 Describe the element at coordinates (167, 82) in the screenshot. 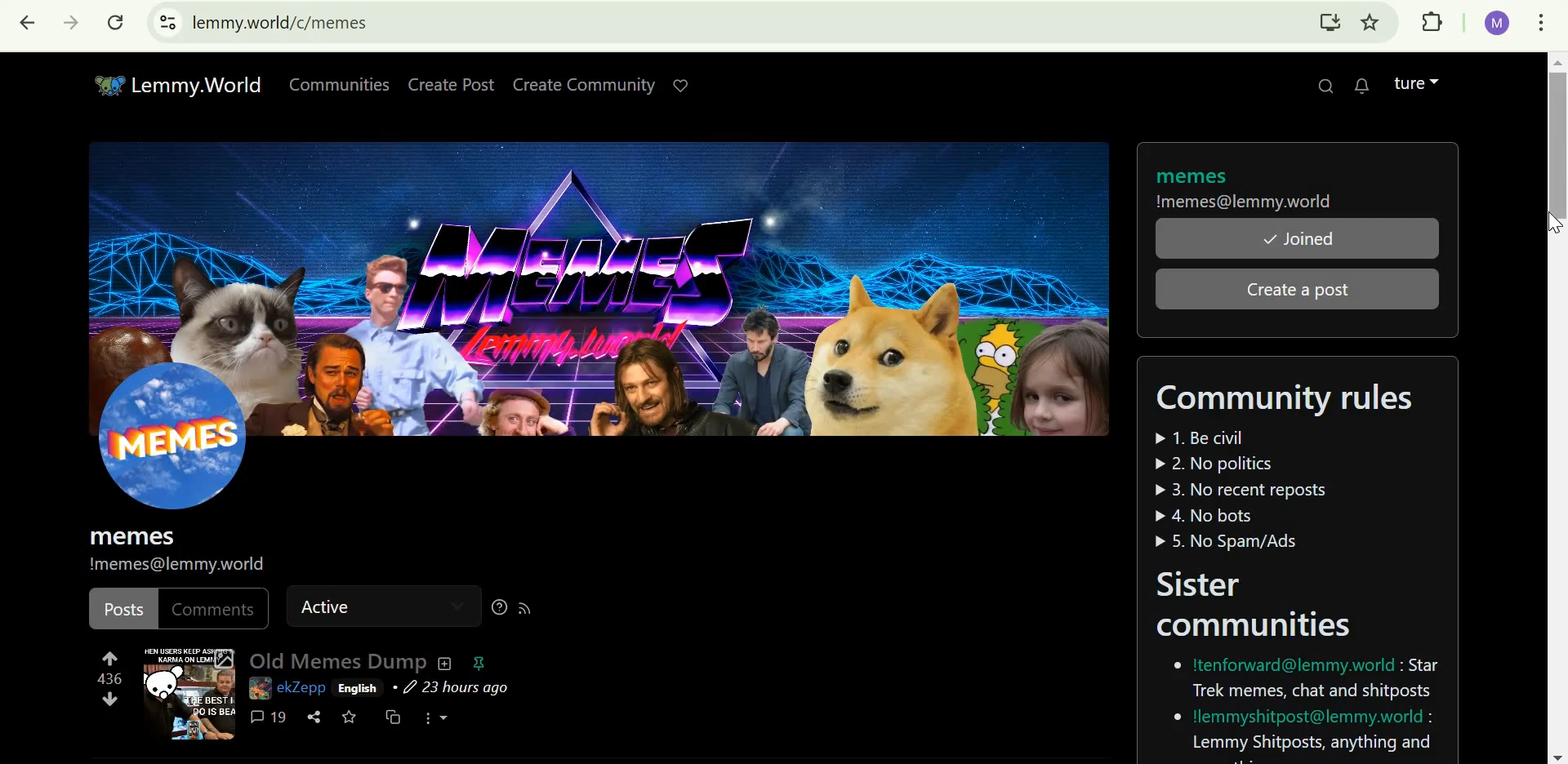

I see `Lemmy.World` at that location.